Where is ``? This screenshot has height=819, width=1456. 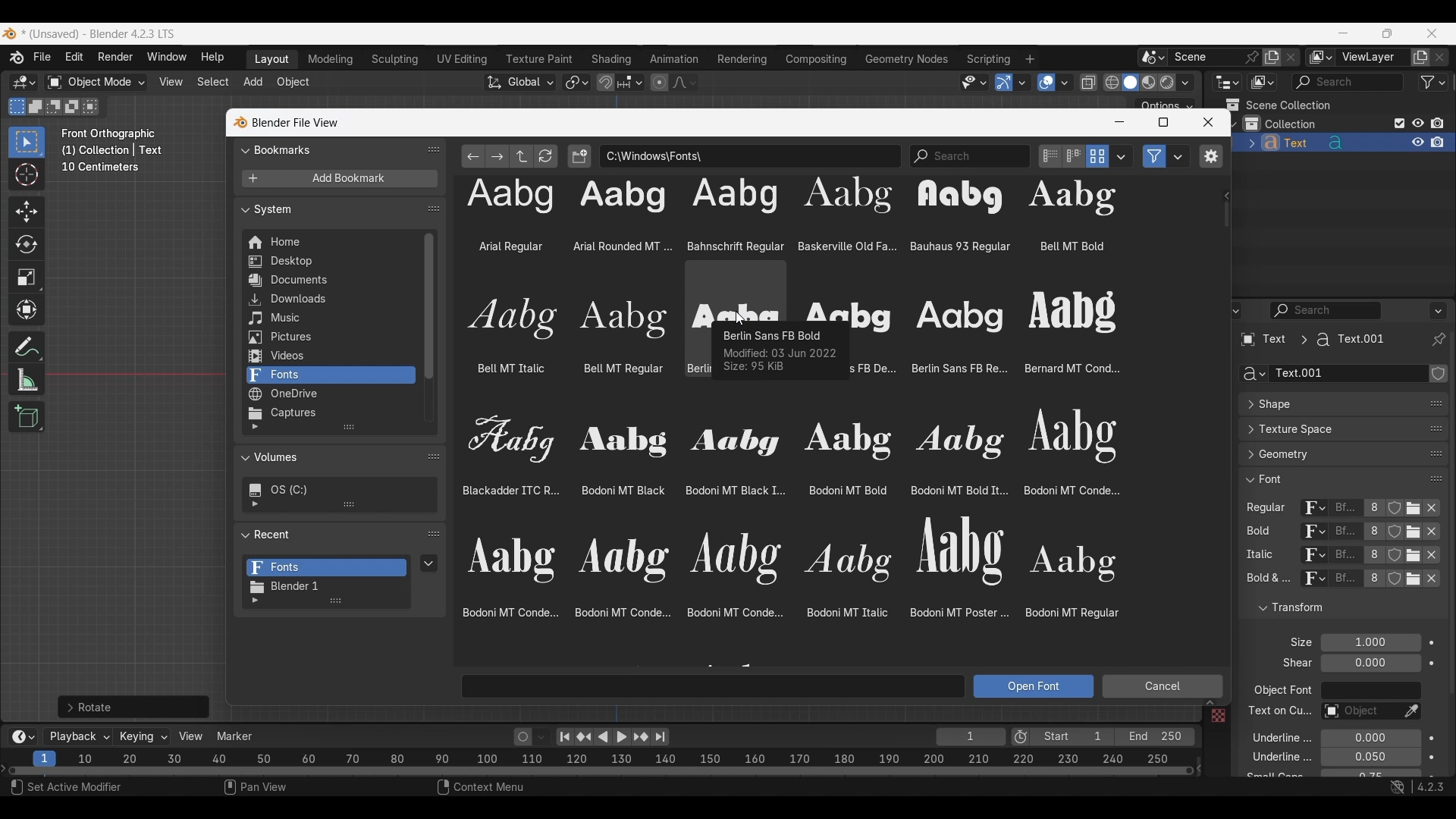
 is located at coordinates (1311, 557).